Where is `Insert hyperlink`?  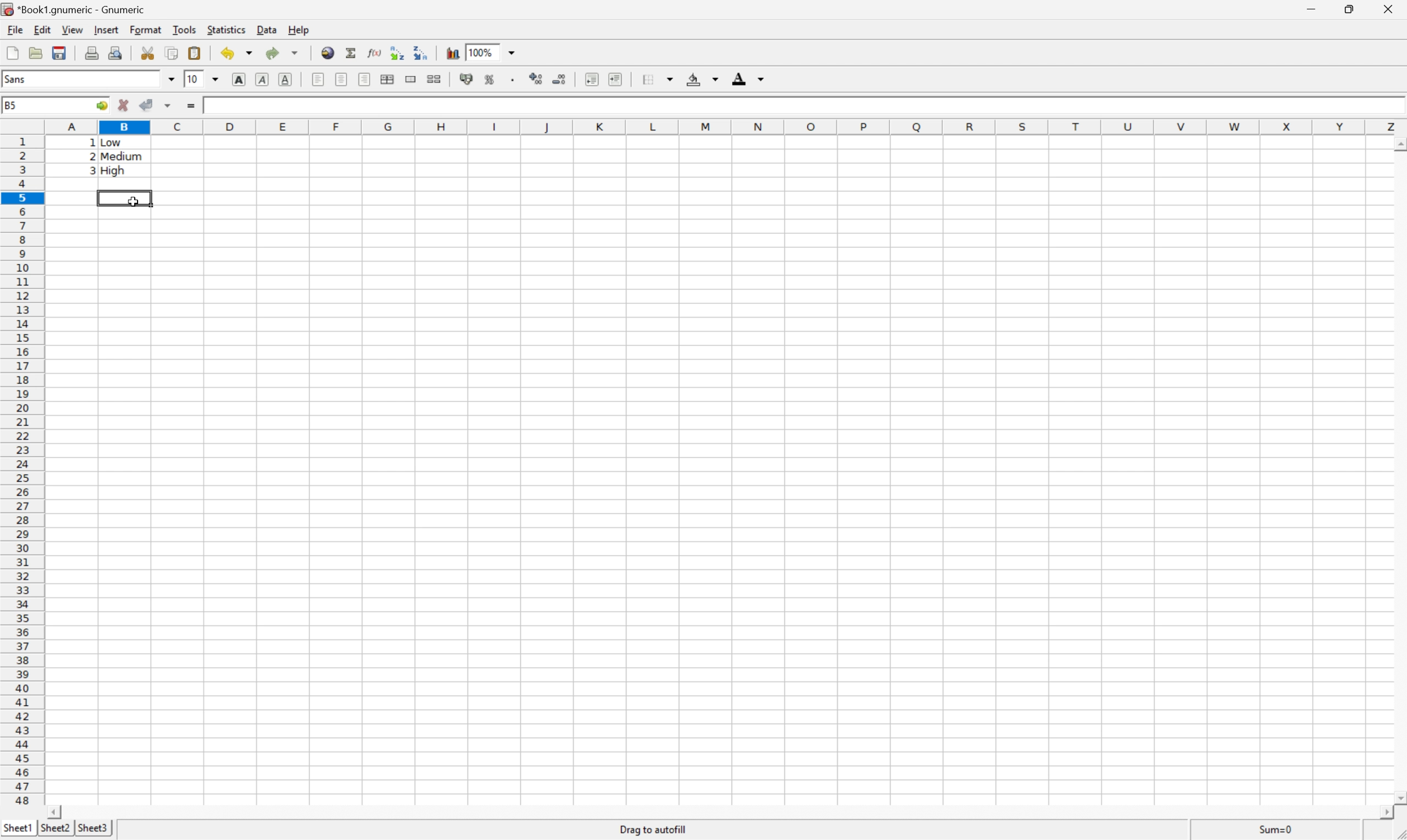
Insert hyperlink is located at coordinates (328, 52).